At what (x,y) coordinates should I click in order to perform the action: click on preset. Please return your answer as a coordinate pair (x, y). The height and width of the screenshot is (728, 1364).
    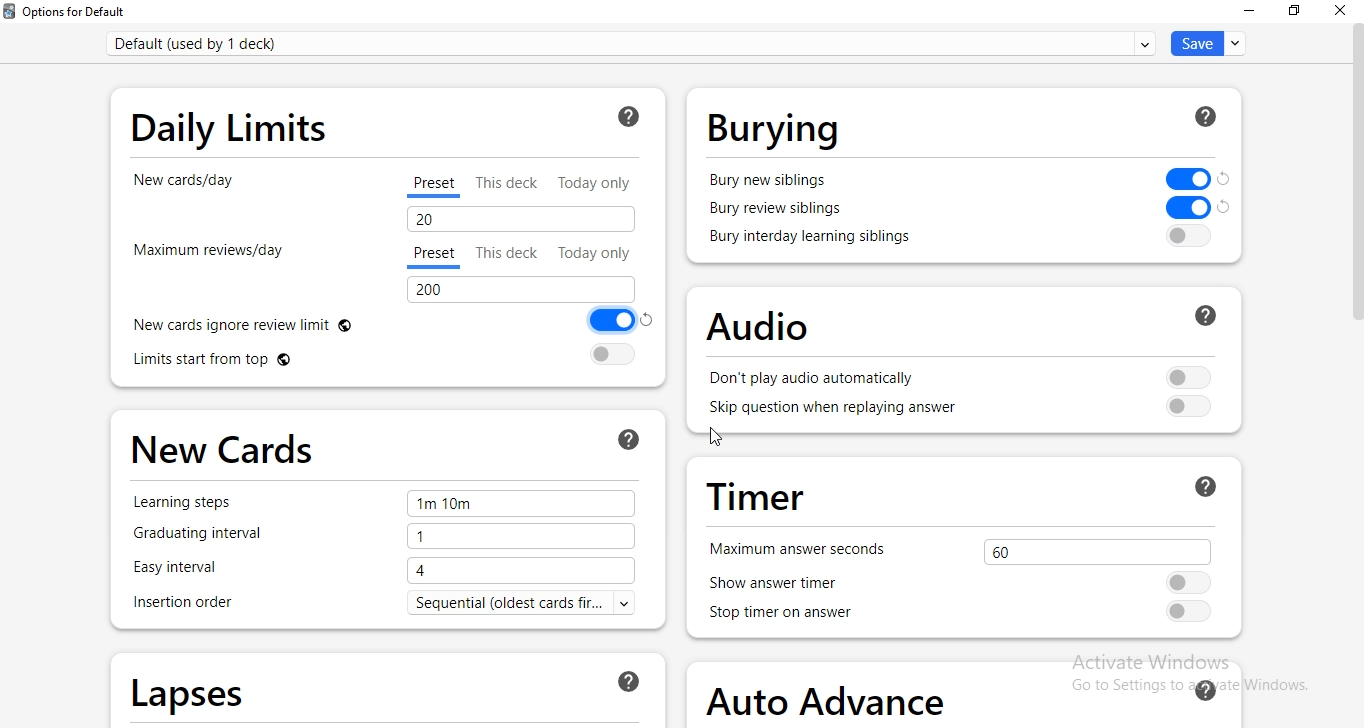
    Looking at the image, I should click on (434, 257).